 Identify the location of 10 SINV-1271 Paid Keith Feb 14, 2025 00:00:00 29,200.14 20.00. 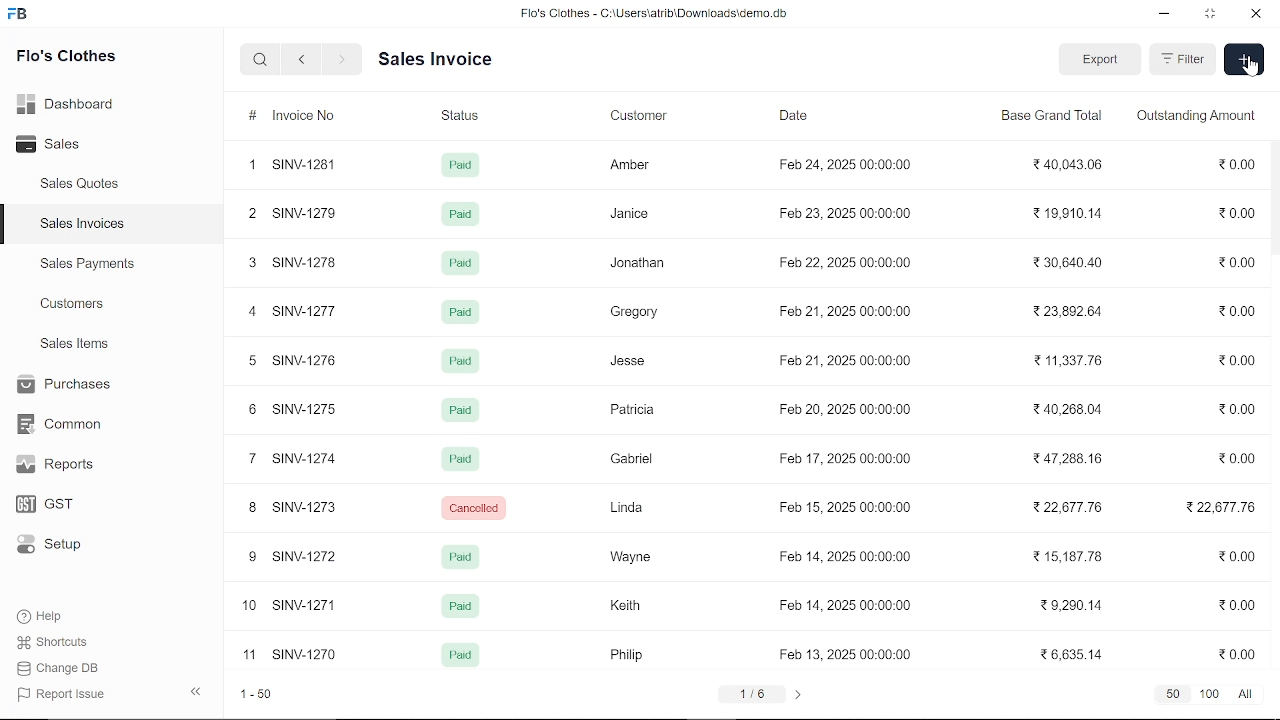
(757, 607).